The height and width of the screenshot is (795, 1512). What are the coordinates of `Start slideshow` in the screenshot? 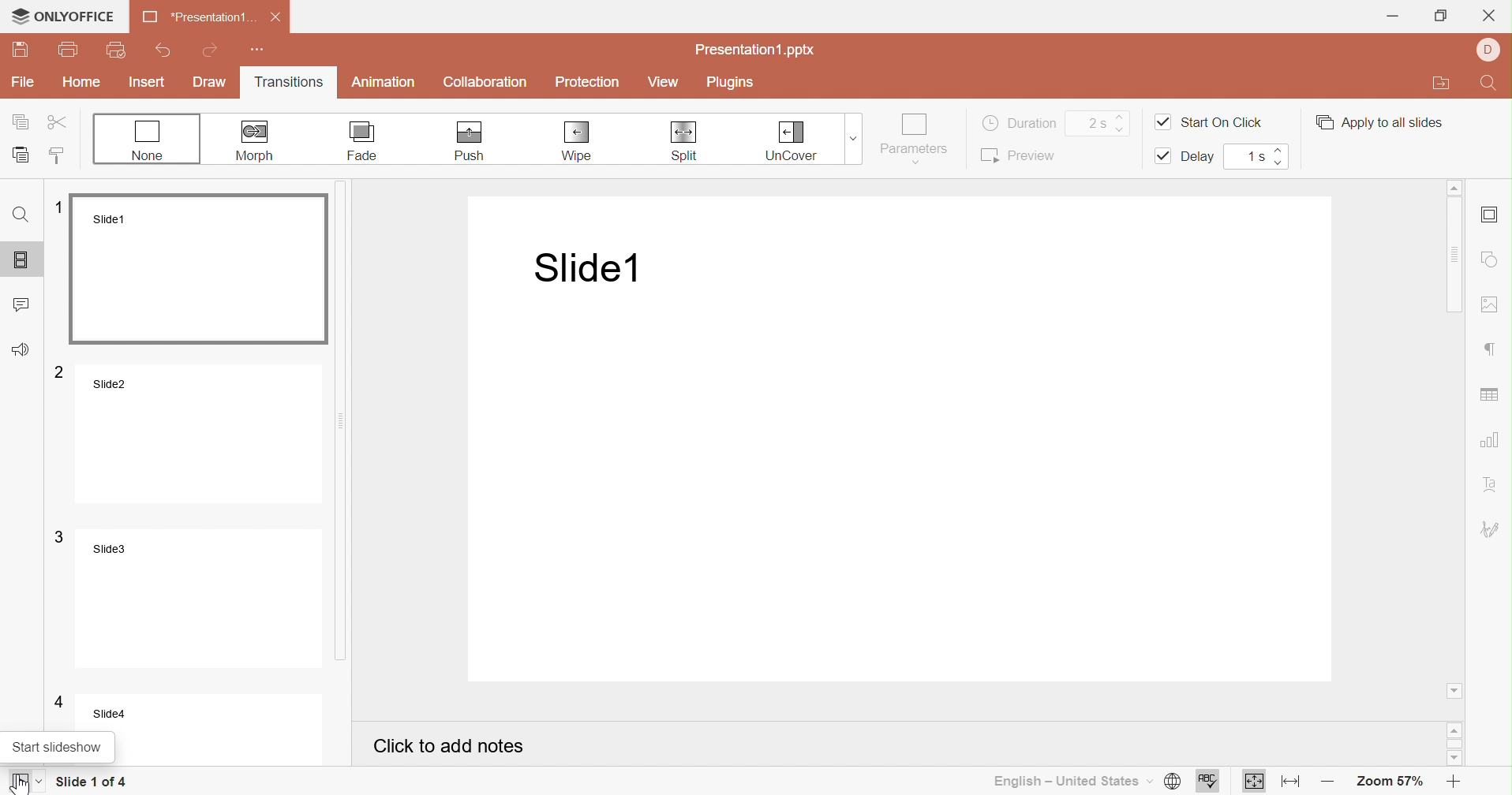 It's located at (55, 747).